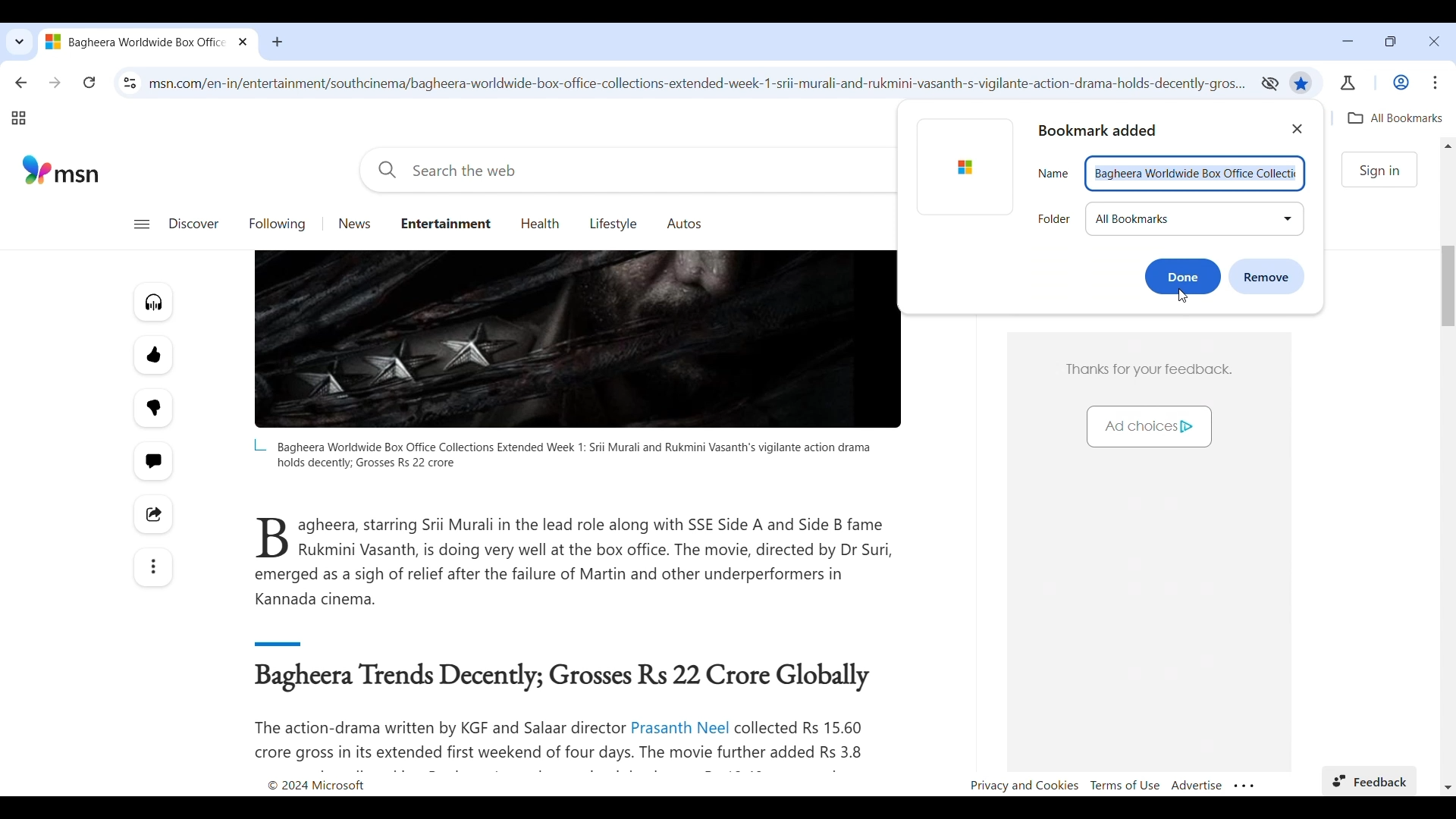 The image size is (1456, 819). Describe the element at coordinates (613, 223) in the screenshot. I see `Go to lifestyle page` at that location.